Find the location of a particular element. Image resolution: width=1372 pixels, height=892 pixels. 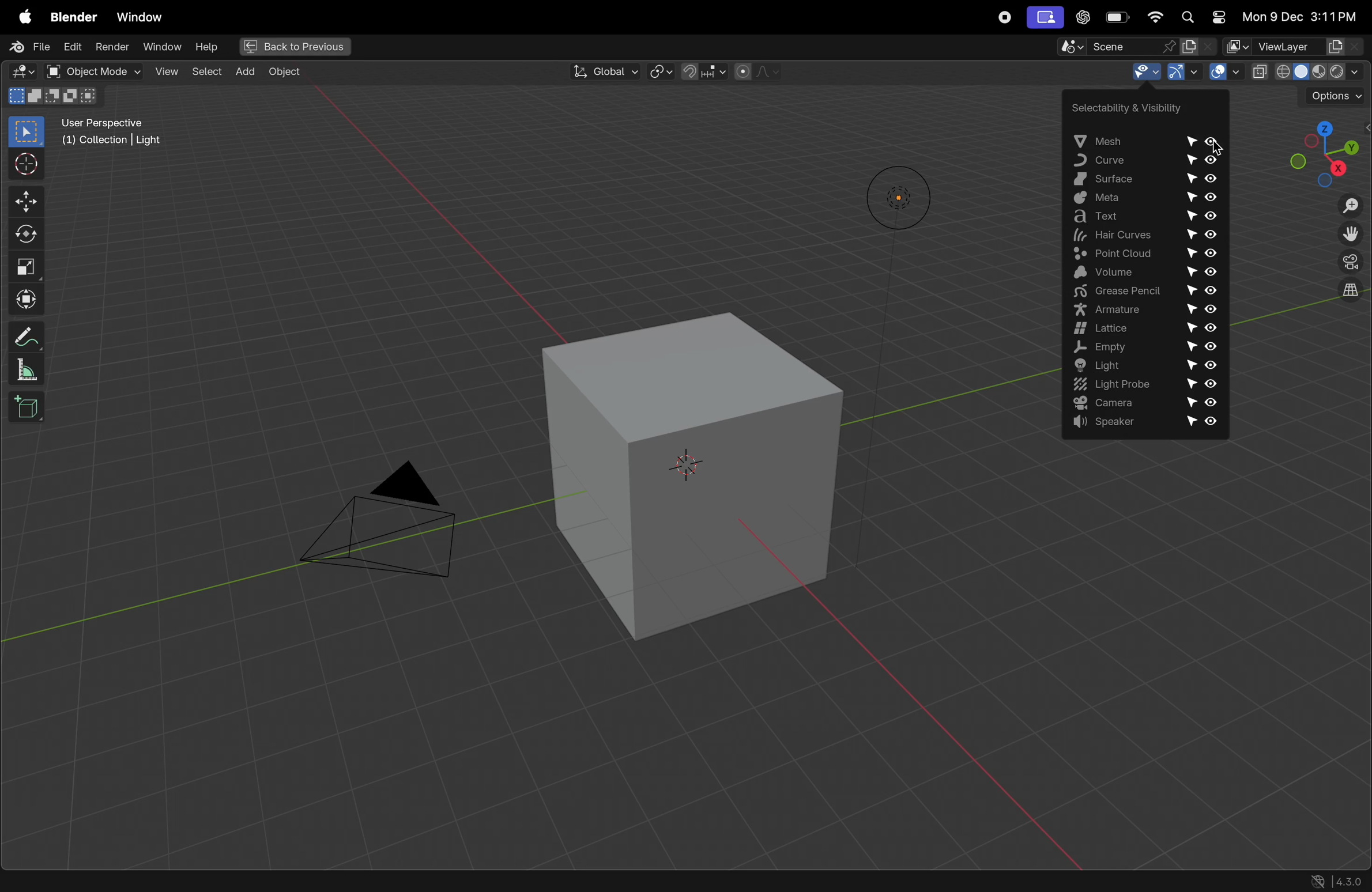

meta is located at coordinates (1140, 200).